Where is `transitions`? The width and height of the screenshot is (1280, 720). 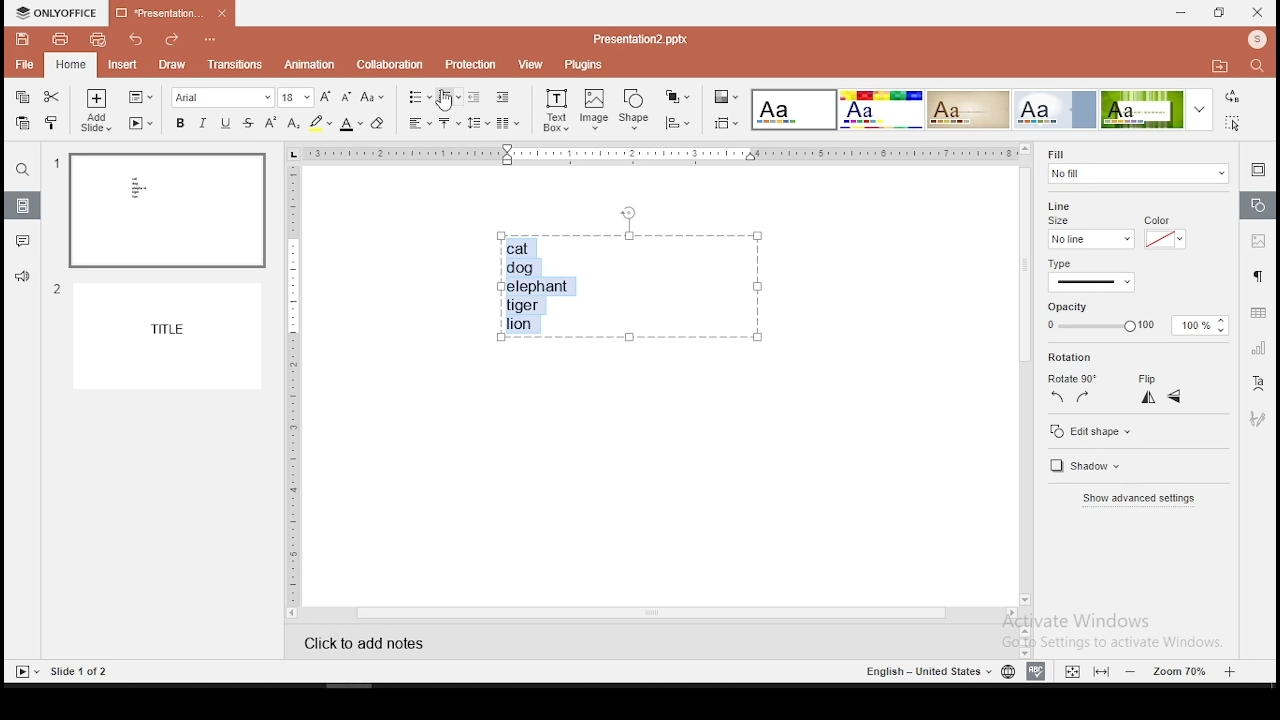
transitions is located at coordinates (236, 67).